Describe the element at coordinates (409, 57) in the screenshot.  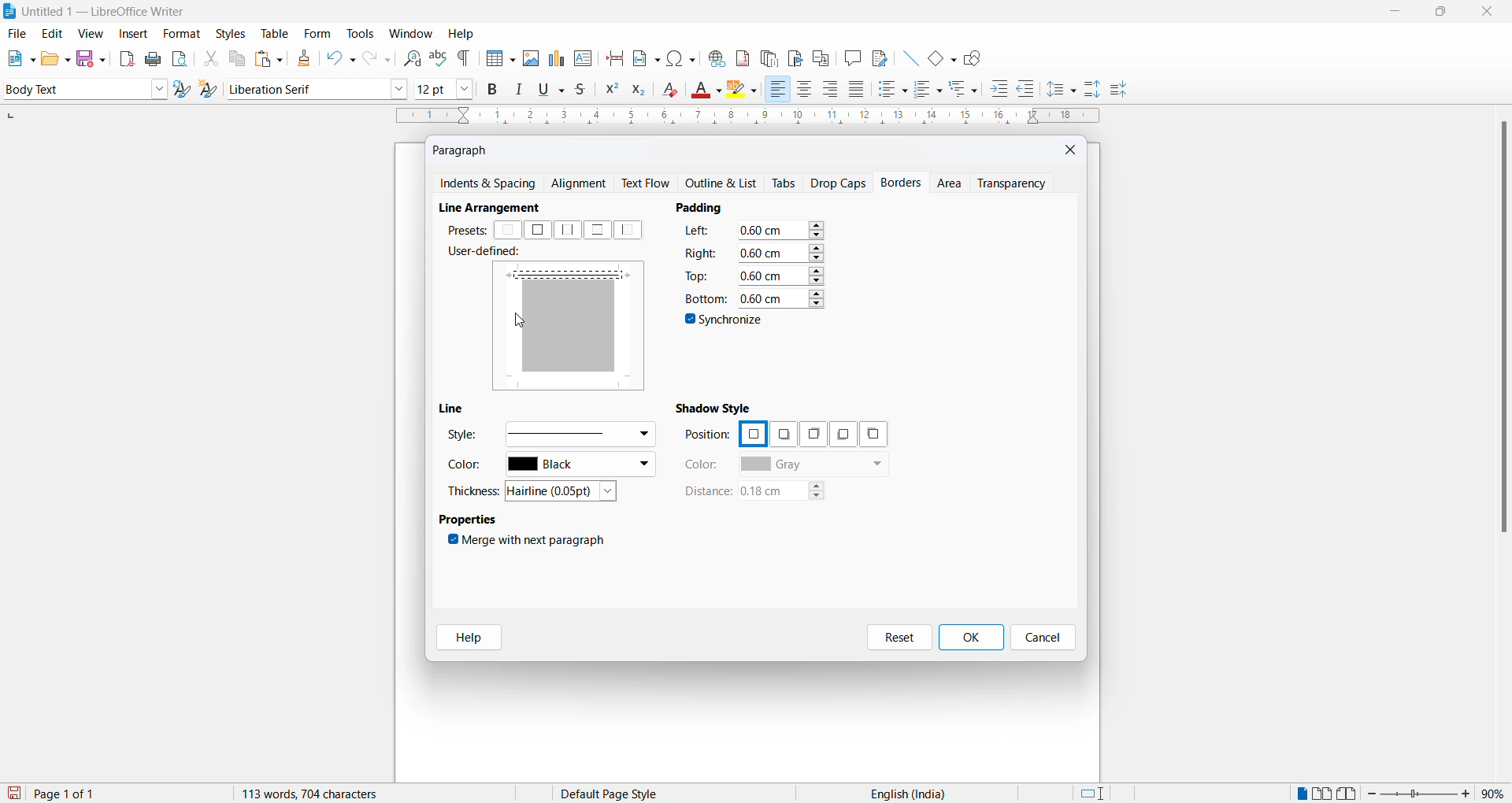
I see `find and replace` at that location.